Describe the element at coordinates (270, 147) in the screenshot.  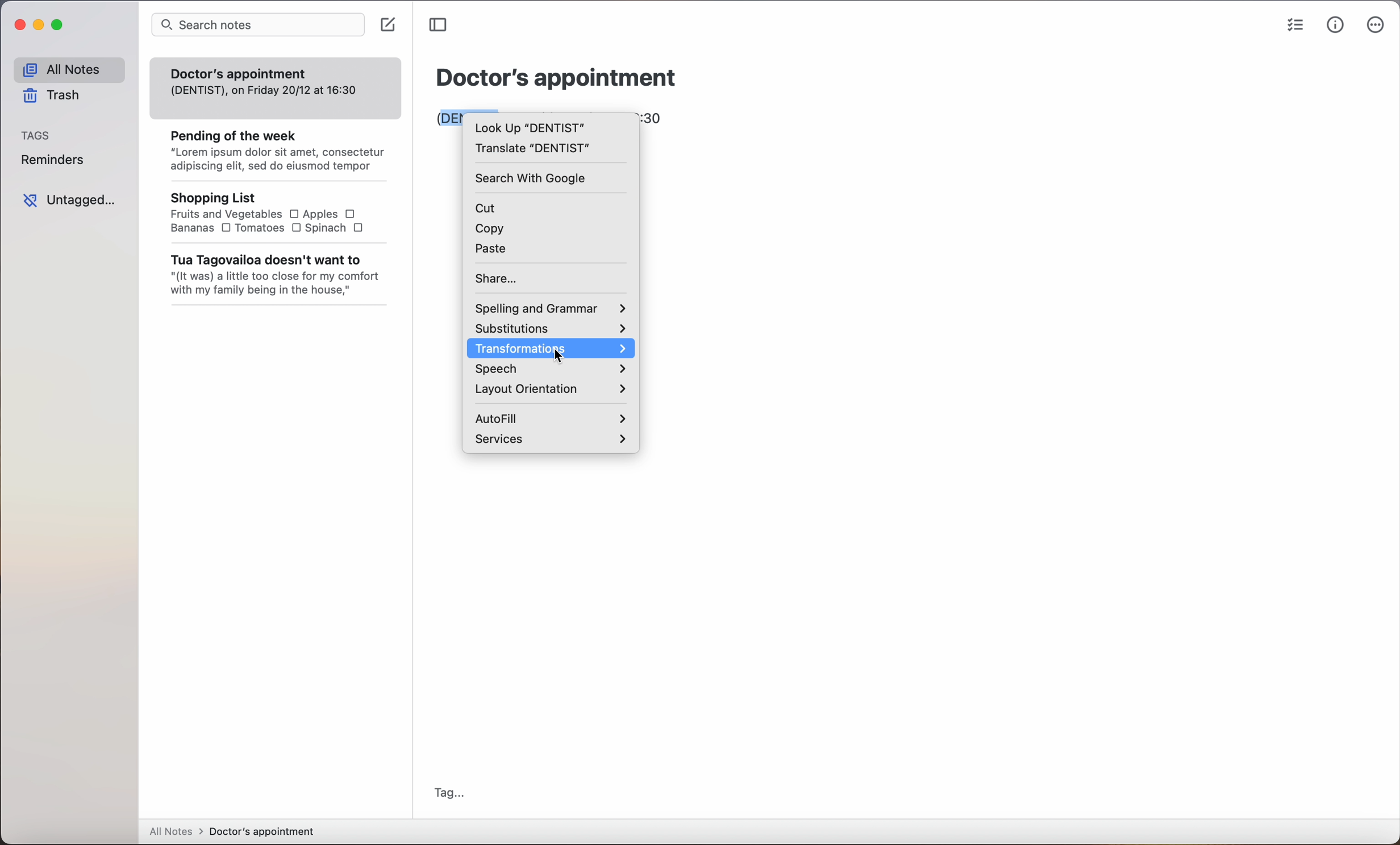
I see `Pending of the week
“Lorem ipsum dolor sit amet, consectetur
adipiscing elit, sed do eiusmod tempor` at that location.